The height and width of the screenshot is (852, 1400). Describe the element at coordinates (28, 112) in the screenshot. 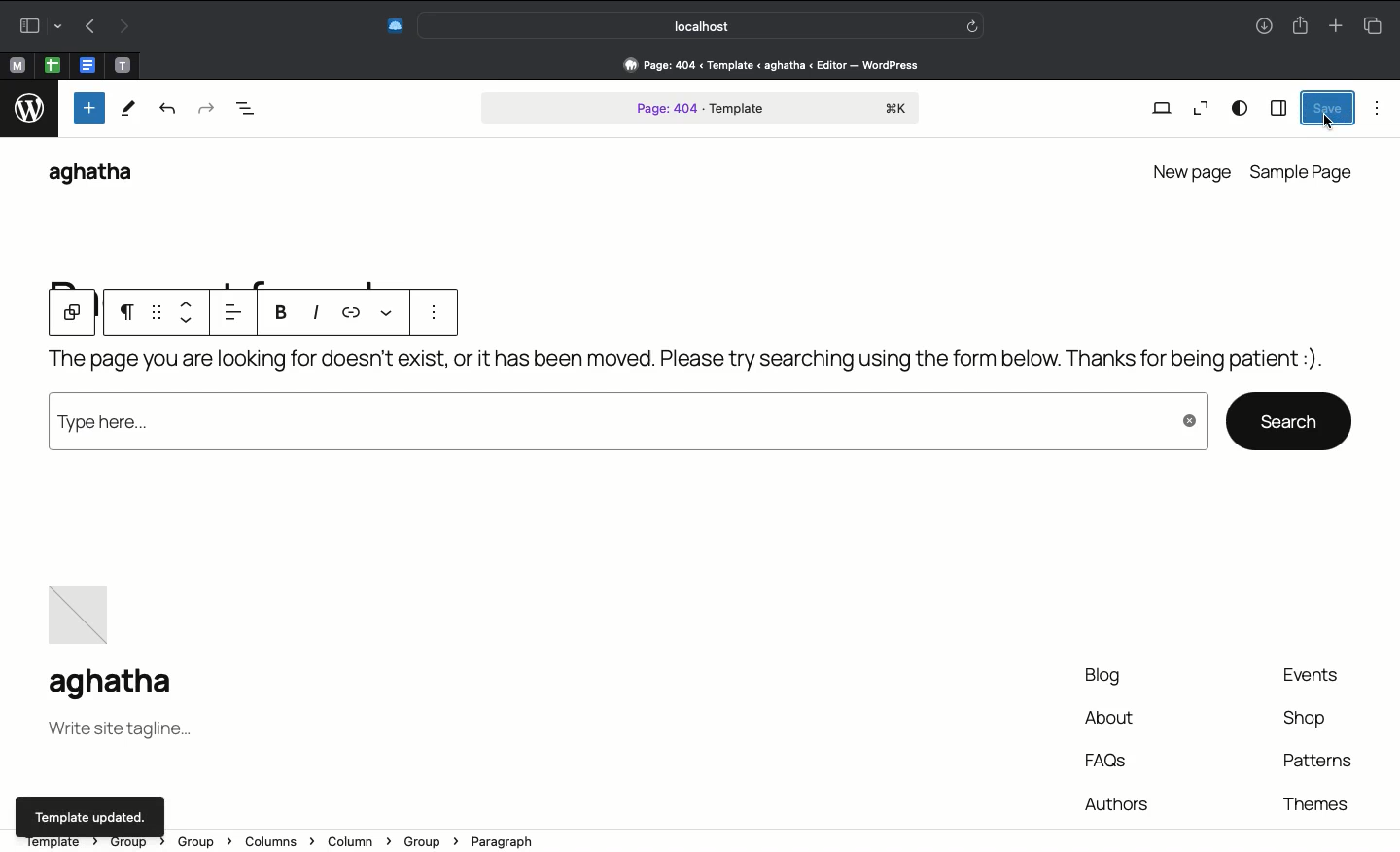

I see `logo` at that location.